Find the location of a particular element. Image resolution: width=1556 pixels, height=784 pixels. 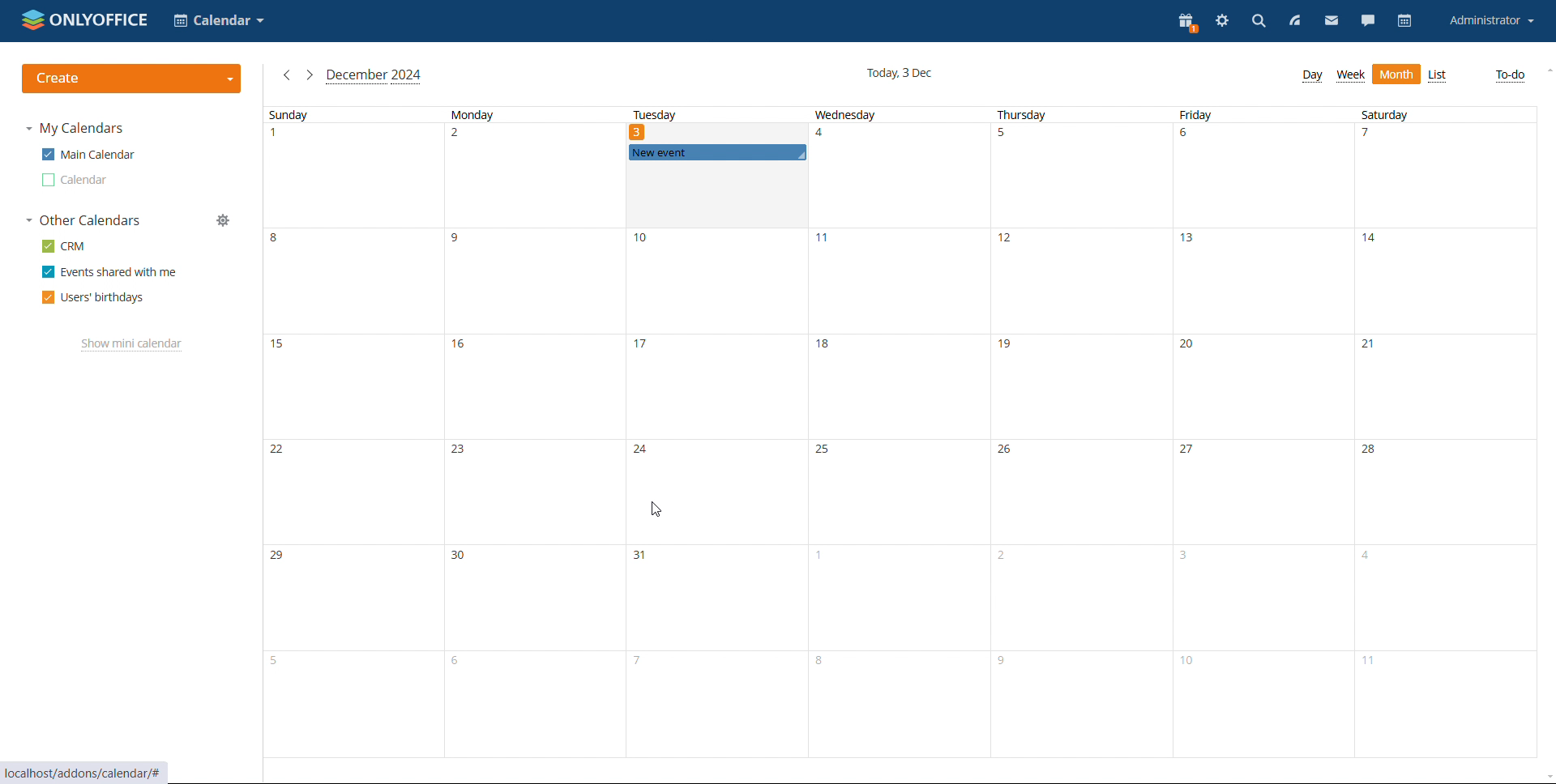

date is located at coordinates (716, 280).